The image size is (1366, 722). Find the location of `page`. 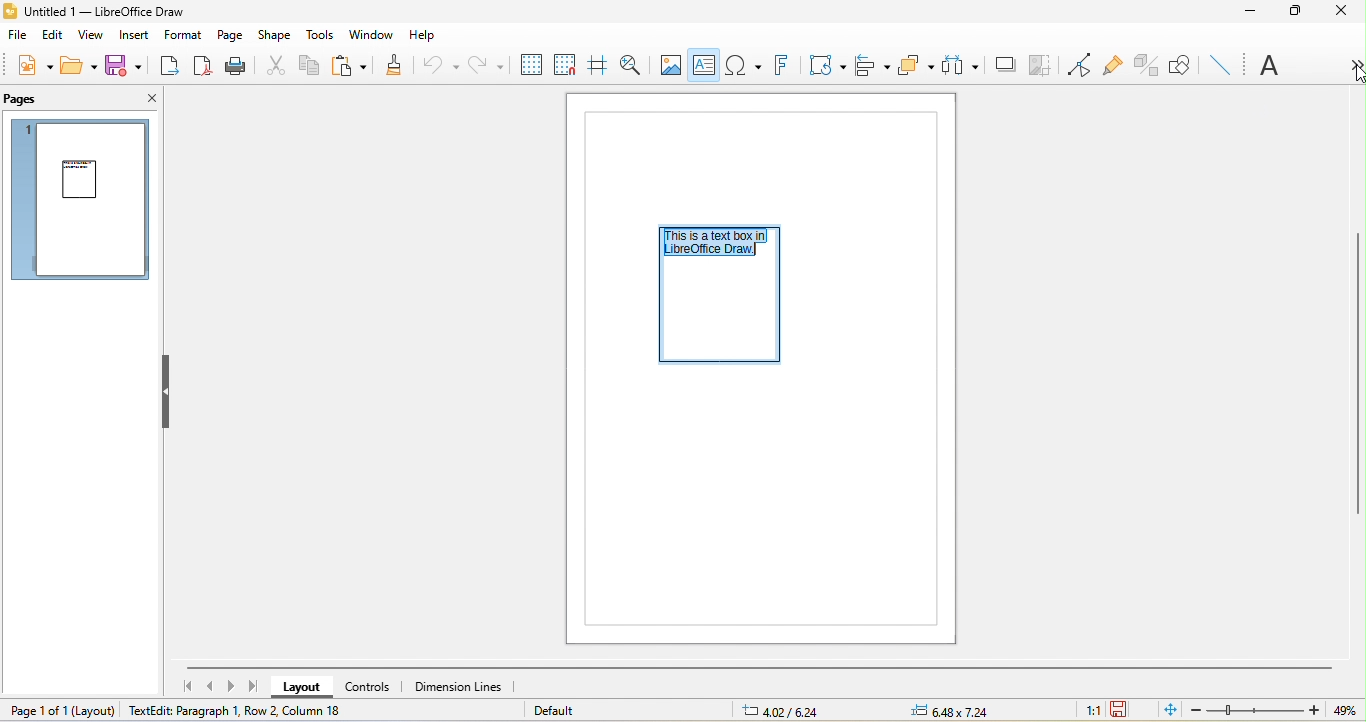

page is located at coordinates (232, 36).